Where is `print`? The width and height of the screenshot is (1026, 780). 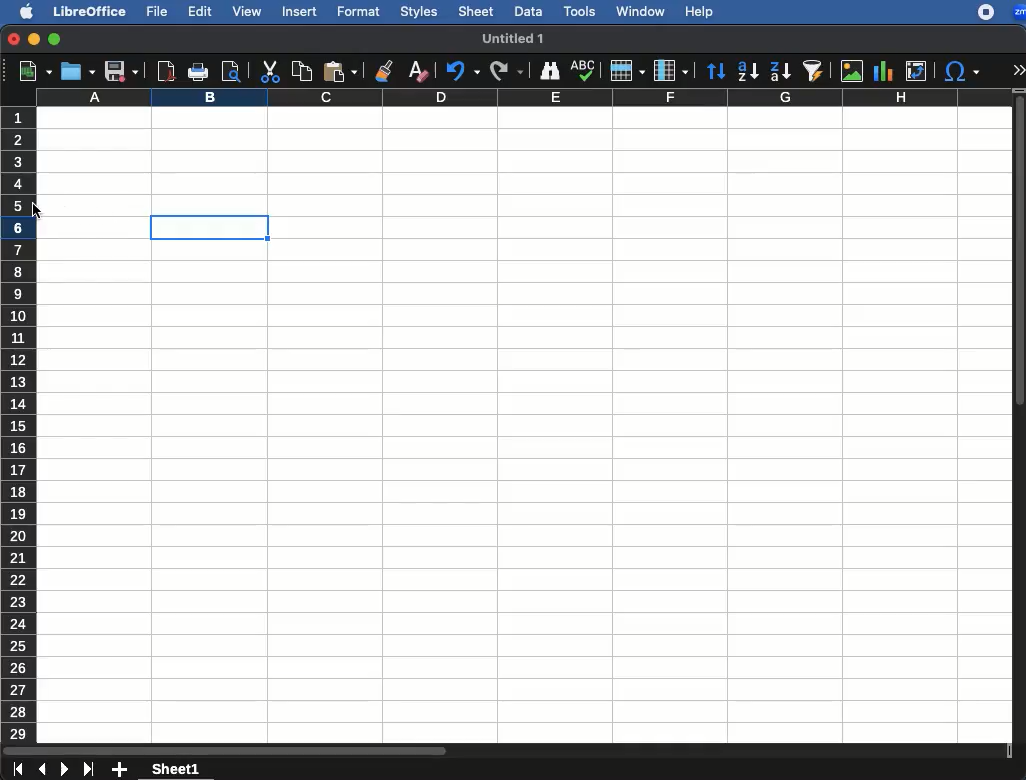 print is located at coordinates (199, 73).